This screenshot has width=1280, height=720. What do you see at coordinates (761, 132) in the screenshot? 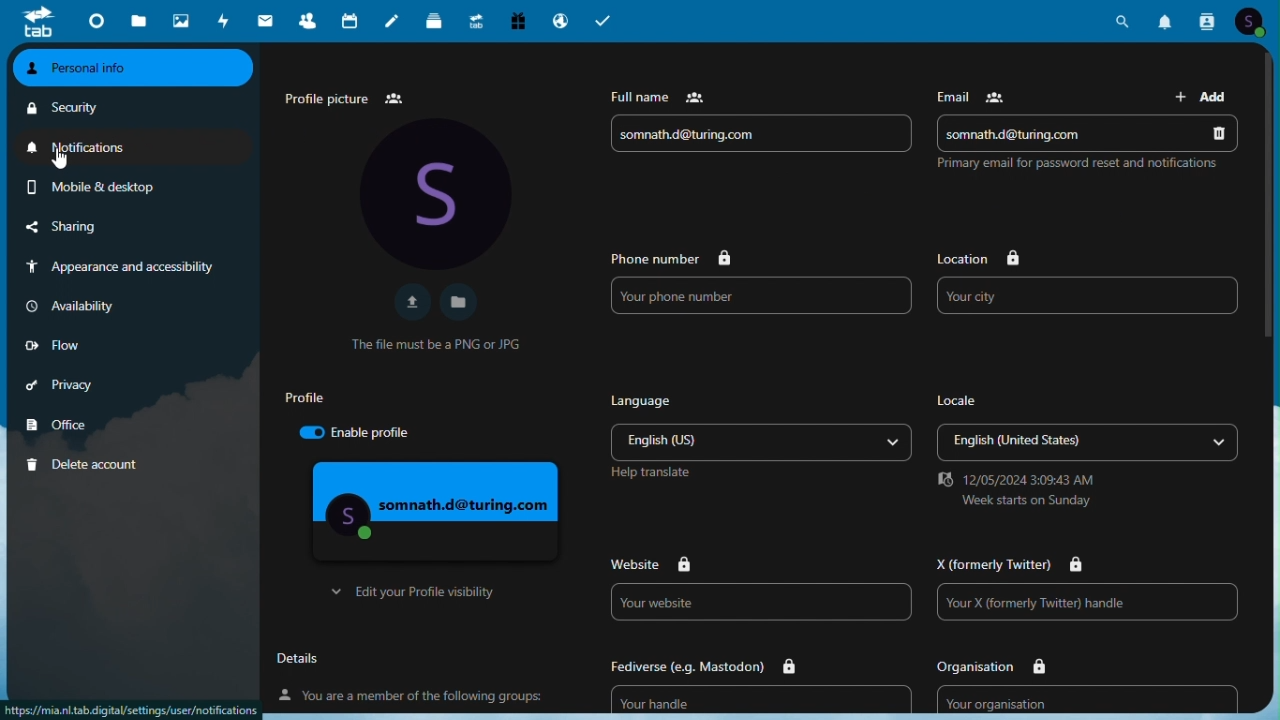
I see `Name` at bounding box center [761, 132].